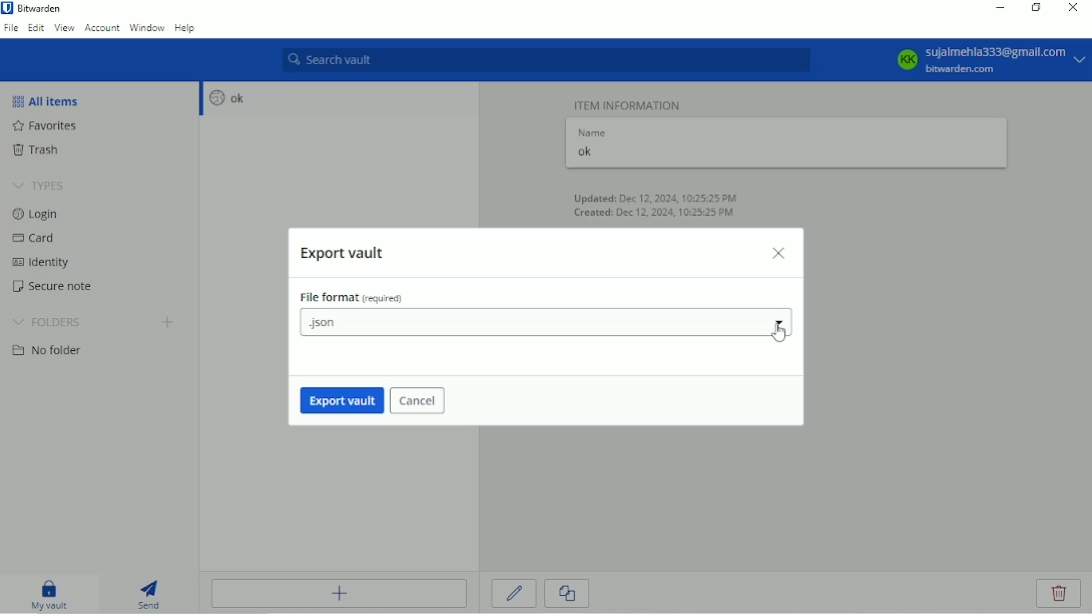  Describe the element at coordinates (52, 352) in the screenshot. I see `No folder` at that location.